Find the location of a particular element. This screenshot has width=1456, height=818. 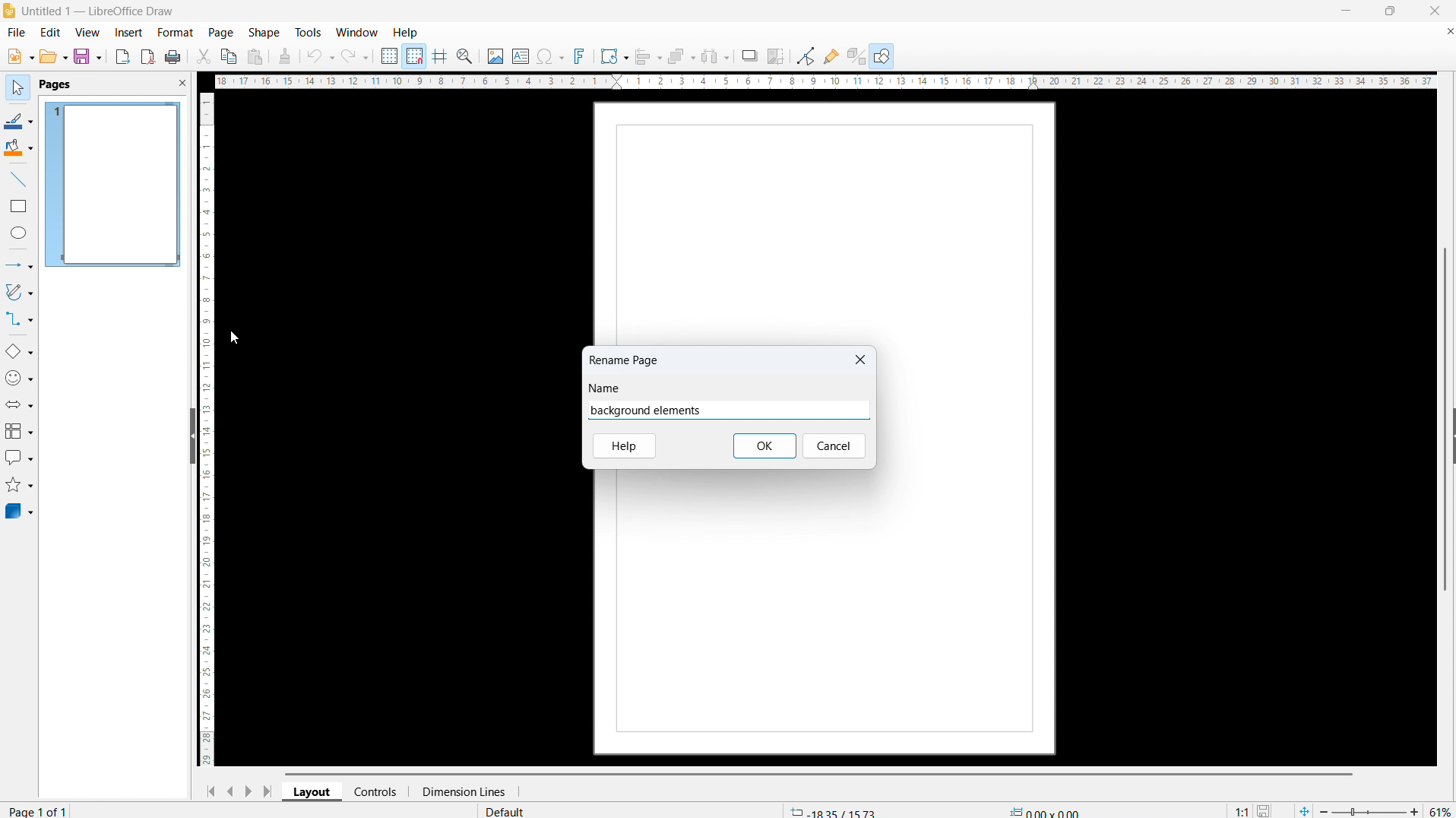

lines and arrows is located at coordinates (19, 266).